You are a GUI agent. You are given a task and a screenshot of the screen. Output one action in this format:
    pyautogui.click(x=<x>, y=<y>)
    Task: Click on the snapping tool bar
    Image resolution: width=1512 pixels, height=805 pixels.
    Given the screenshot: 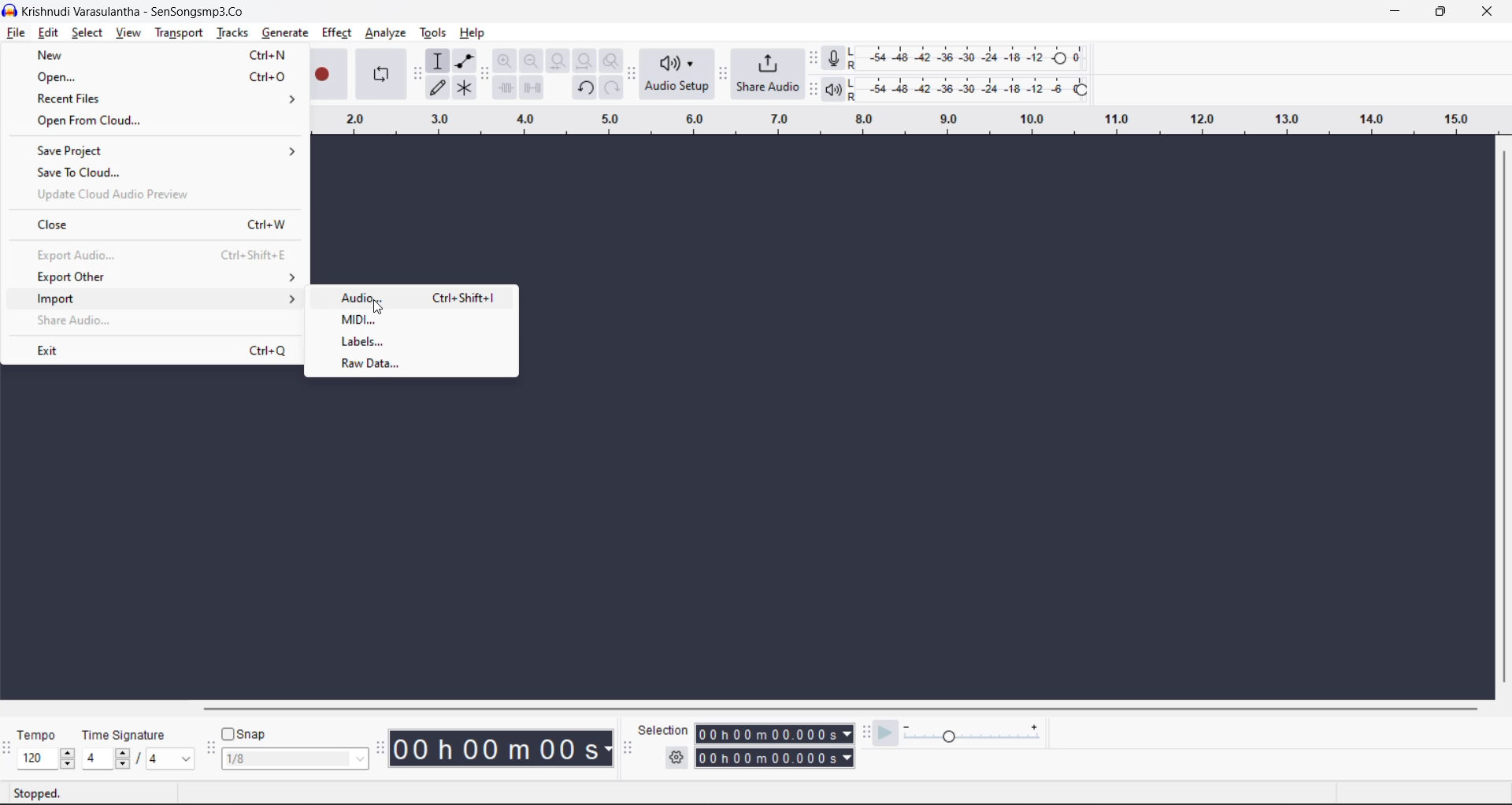 What is the action you would take?
    pyautogui.click(x=209, y=750)
    